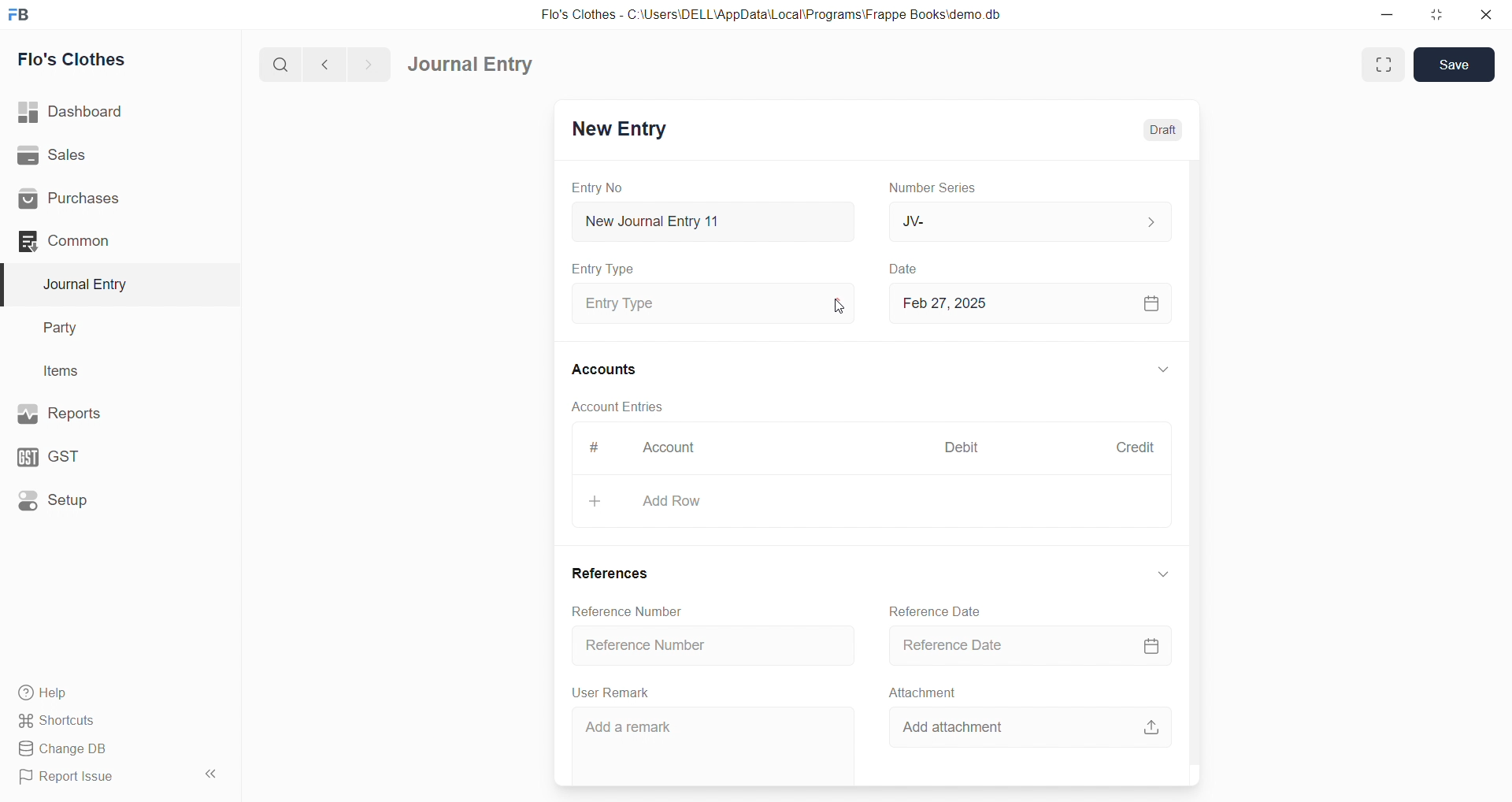 The width and height of the screenshot is (1512, 802). Describe the element at coordinates (70, 326) in the screenshot. I see `Party` at that location.